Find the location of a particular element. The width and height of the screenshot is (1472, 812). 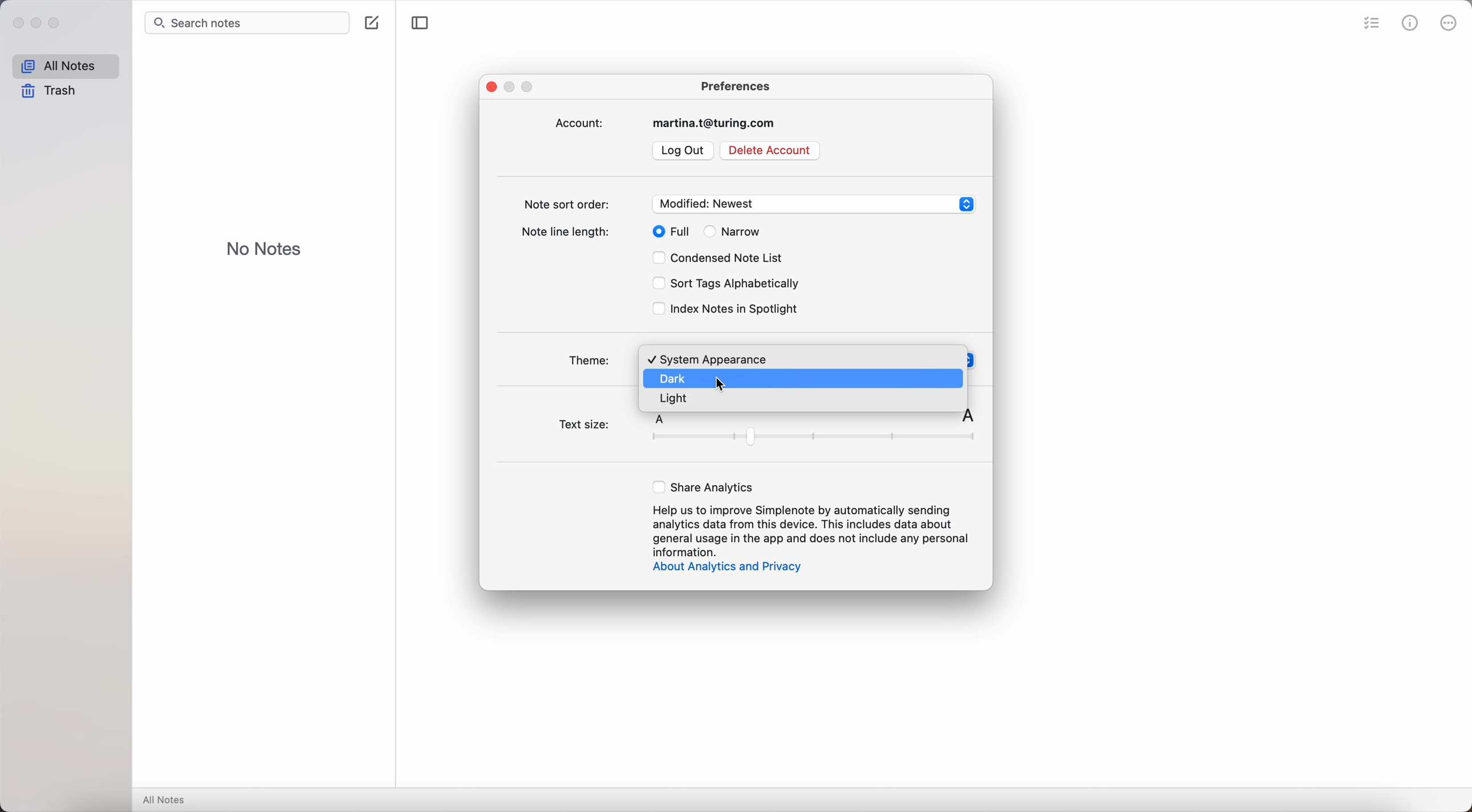

no notes is located at coordinates (265, 247).